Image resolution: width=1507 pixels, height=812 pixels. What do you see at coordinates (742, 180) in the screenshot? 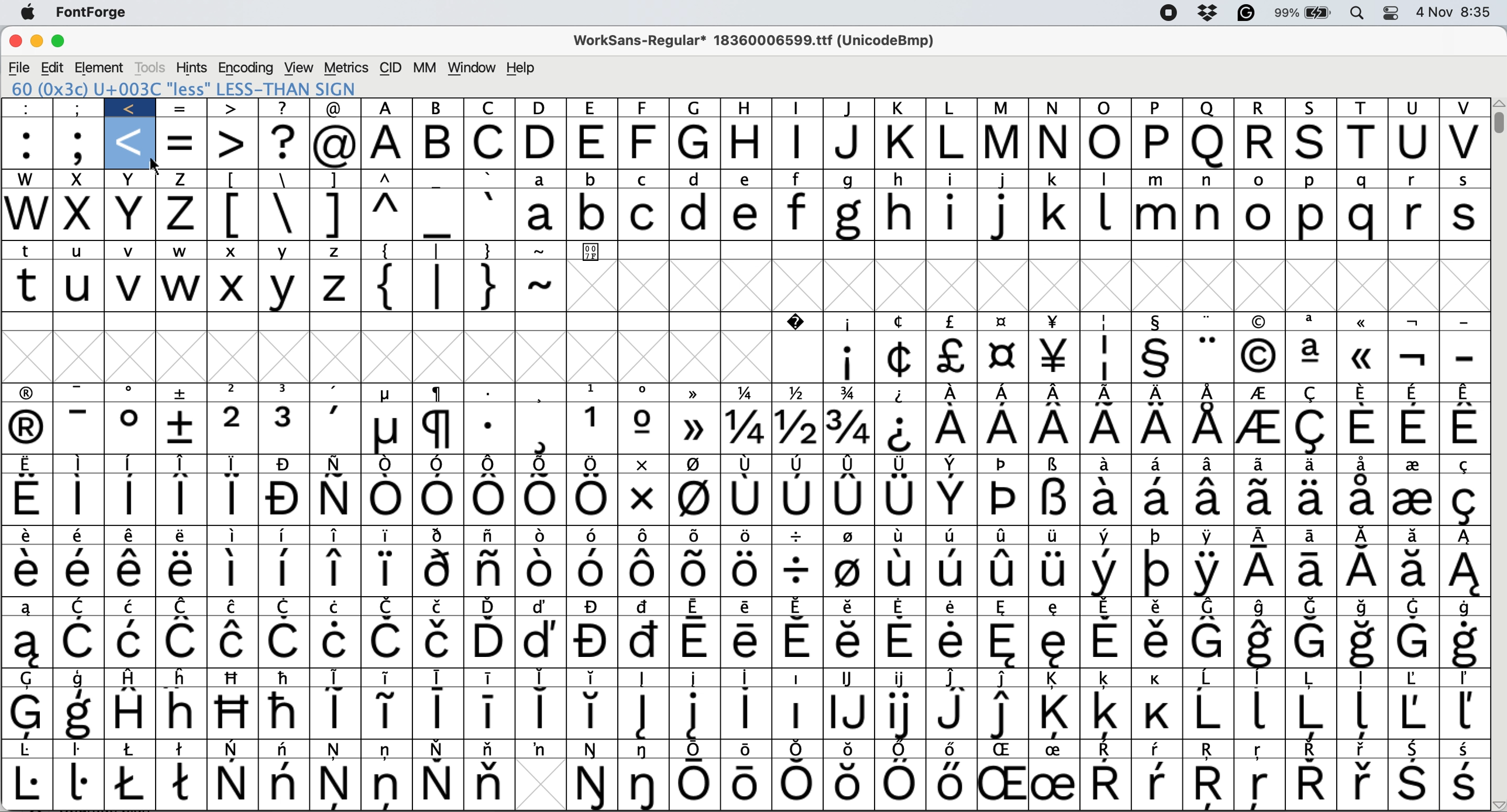
I see `e` at bounding box center [742, 180].